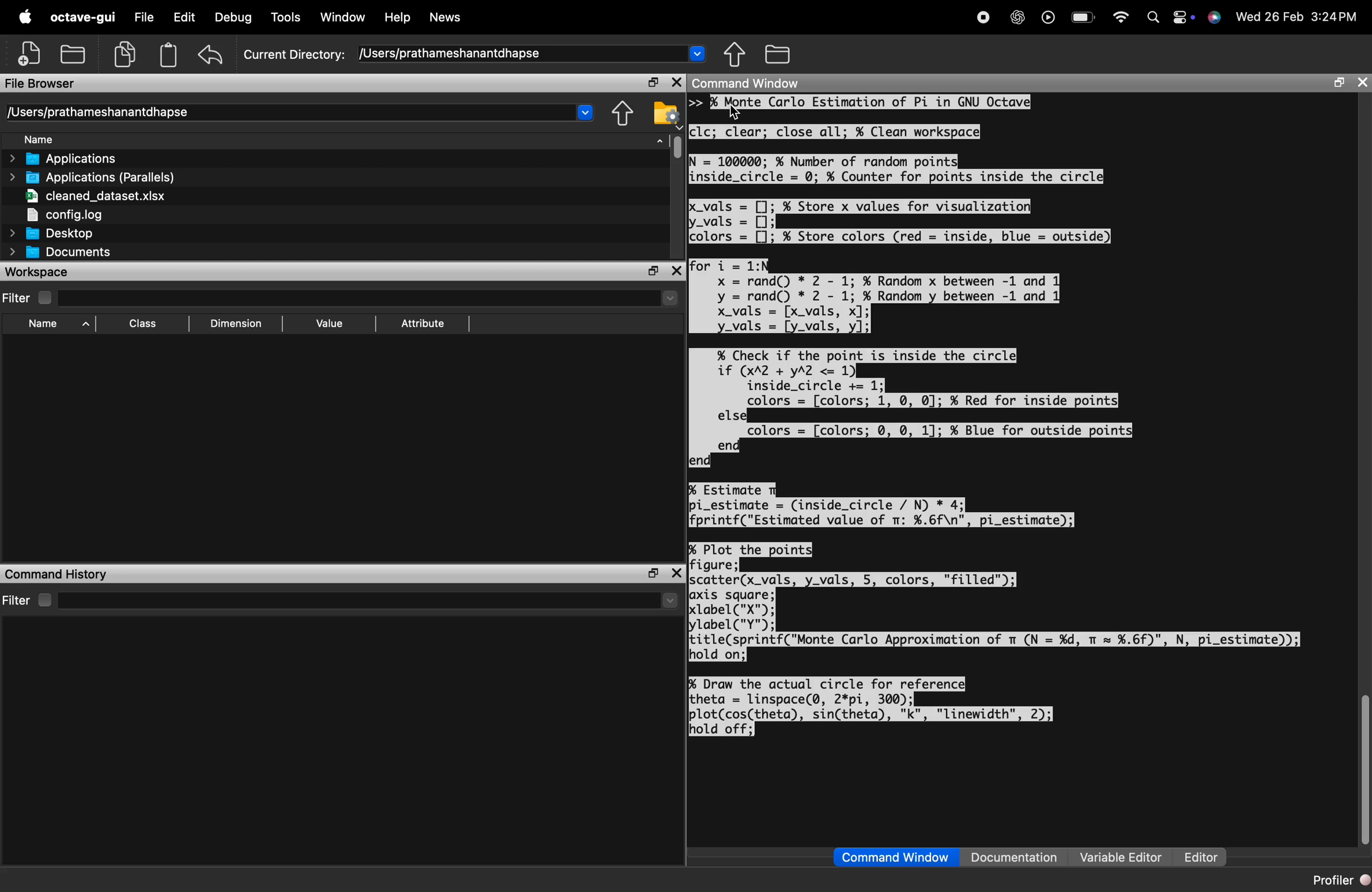 Image resolution: width=1372 pixels, height=892 pixels. Describe the element at coordinates (1046, 18) in the screenshot. I see `play` at that location.